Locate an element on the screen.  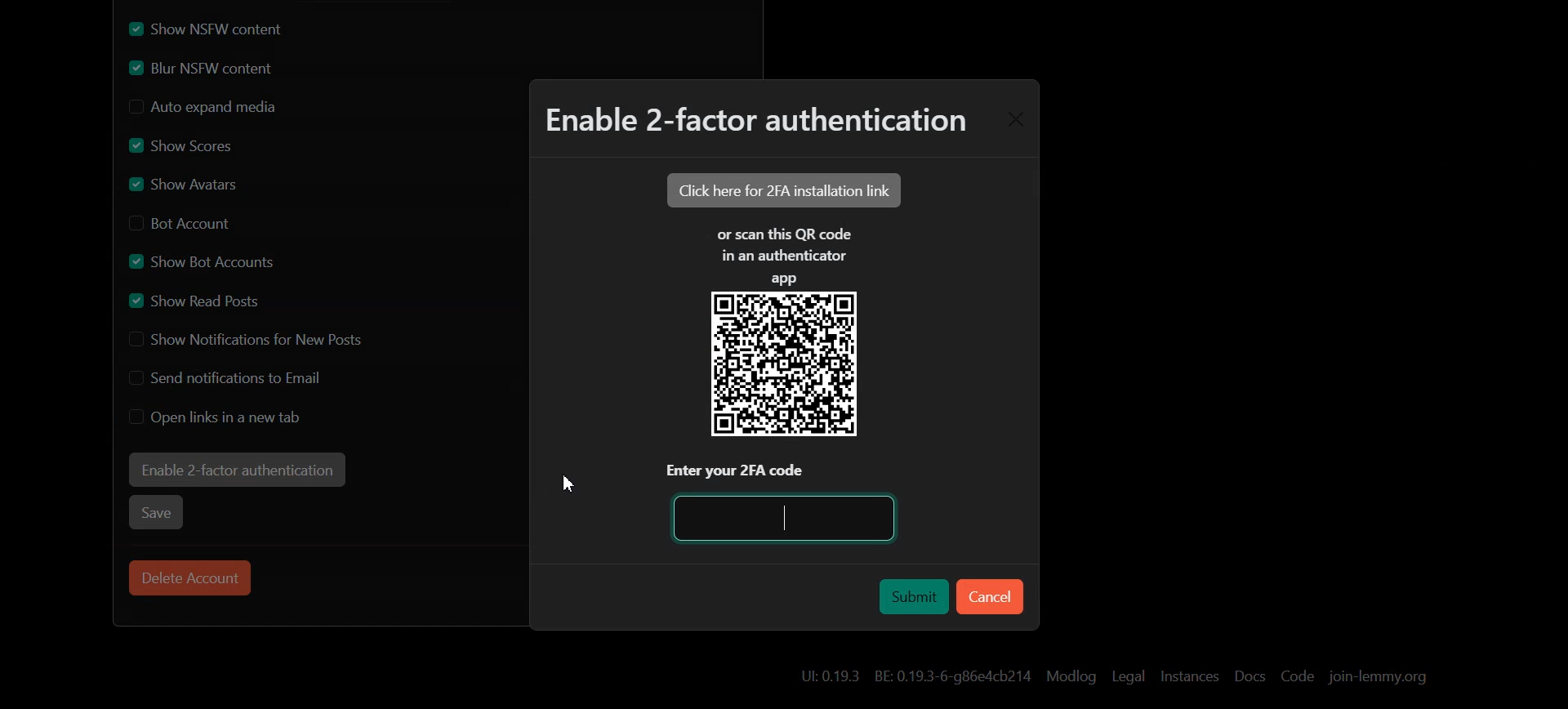
Hyperlink is located at coordinates (914, 674).